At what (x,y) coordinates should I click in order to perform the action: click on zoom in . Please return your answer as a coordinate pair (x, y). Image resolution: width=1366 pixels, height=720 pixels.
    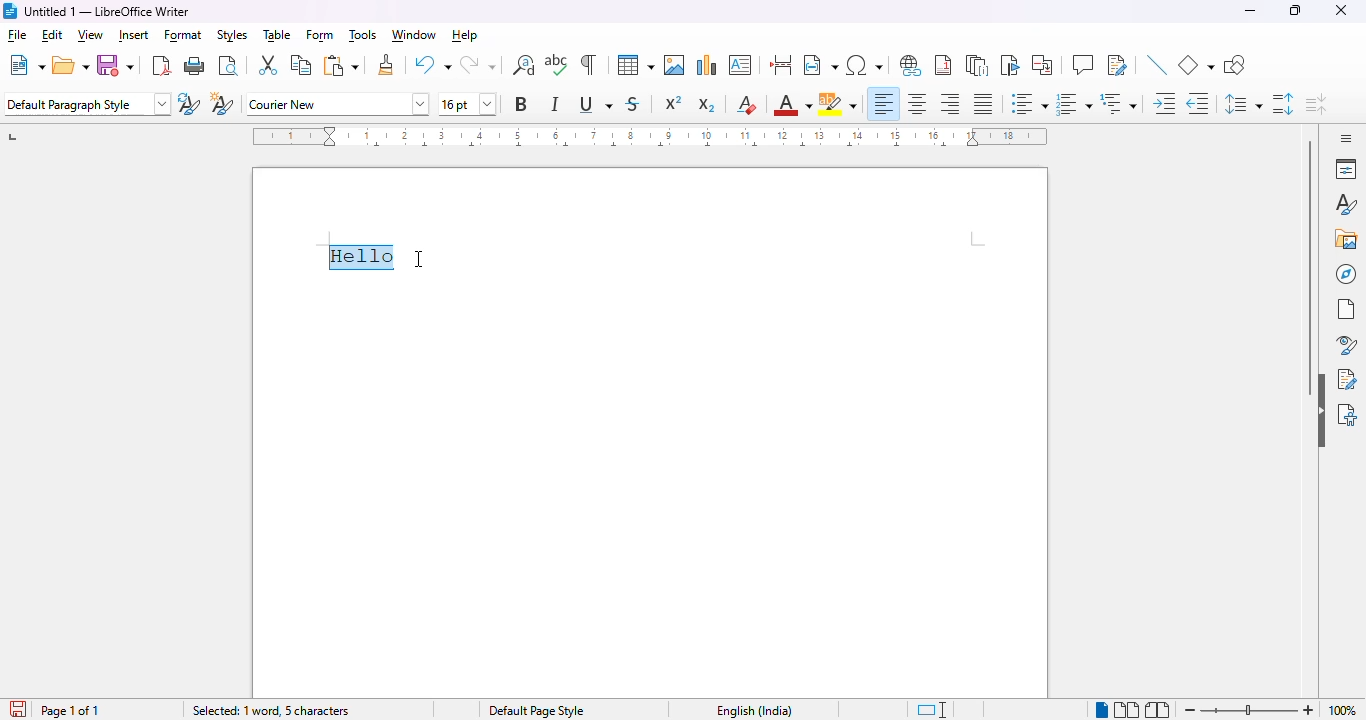
    Looking at the image, I should click on (1308, 711).